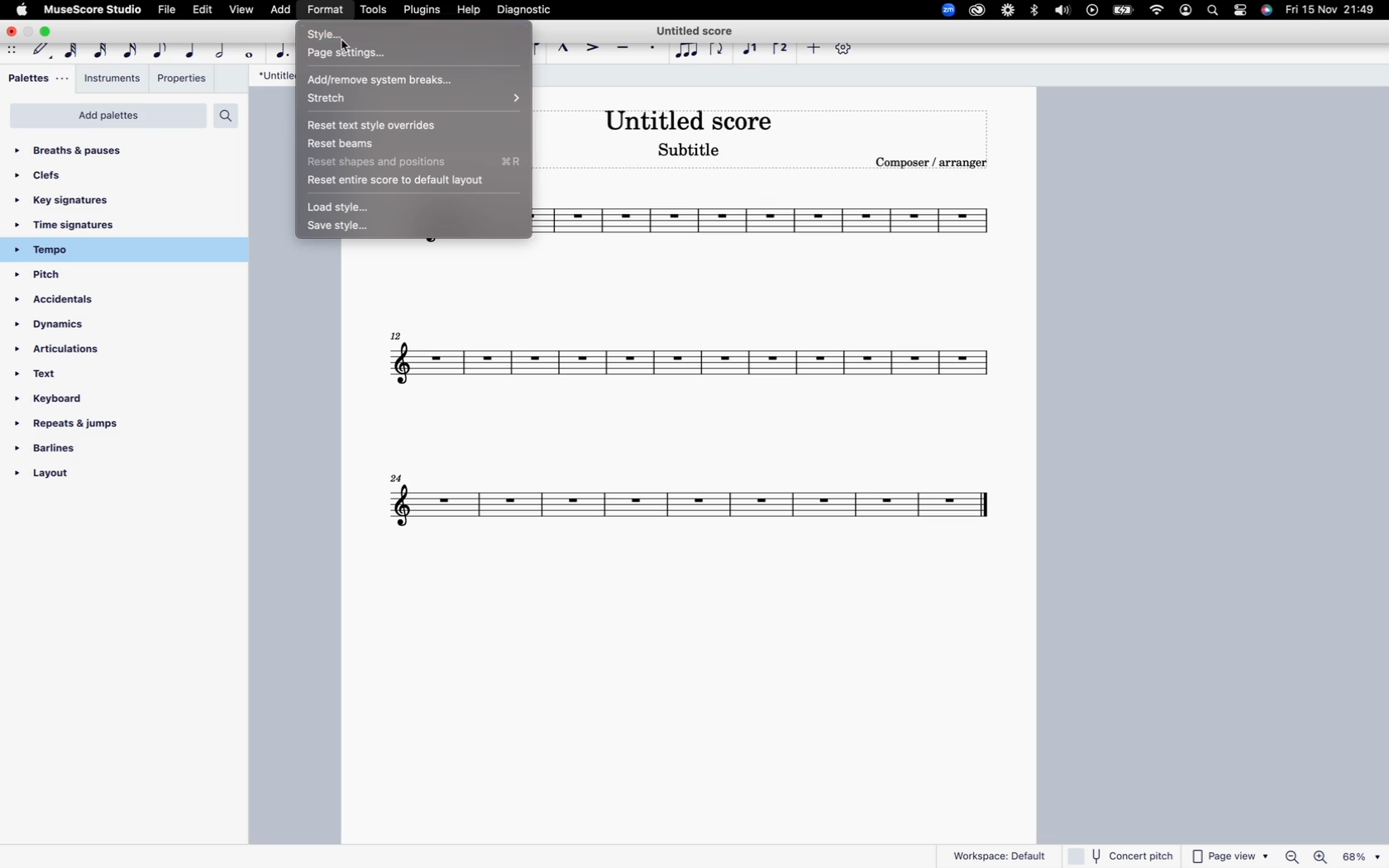 This screenshot has width=1389, height=868. Describe the element at coordinates (112, 78) in the screenshot. I see `instruments` at that location.